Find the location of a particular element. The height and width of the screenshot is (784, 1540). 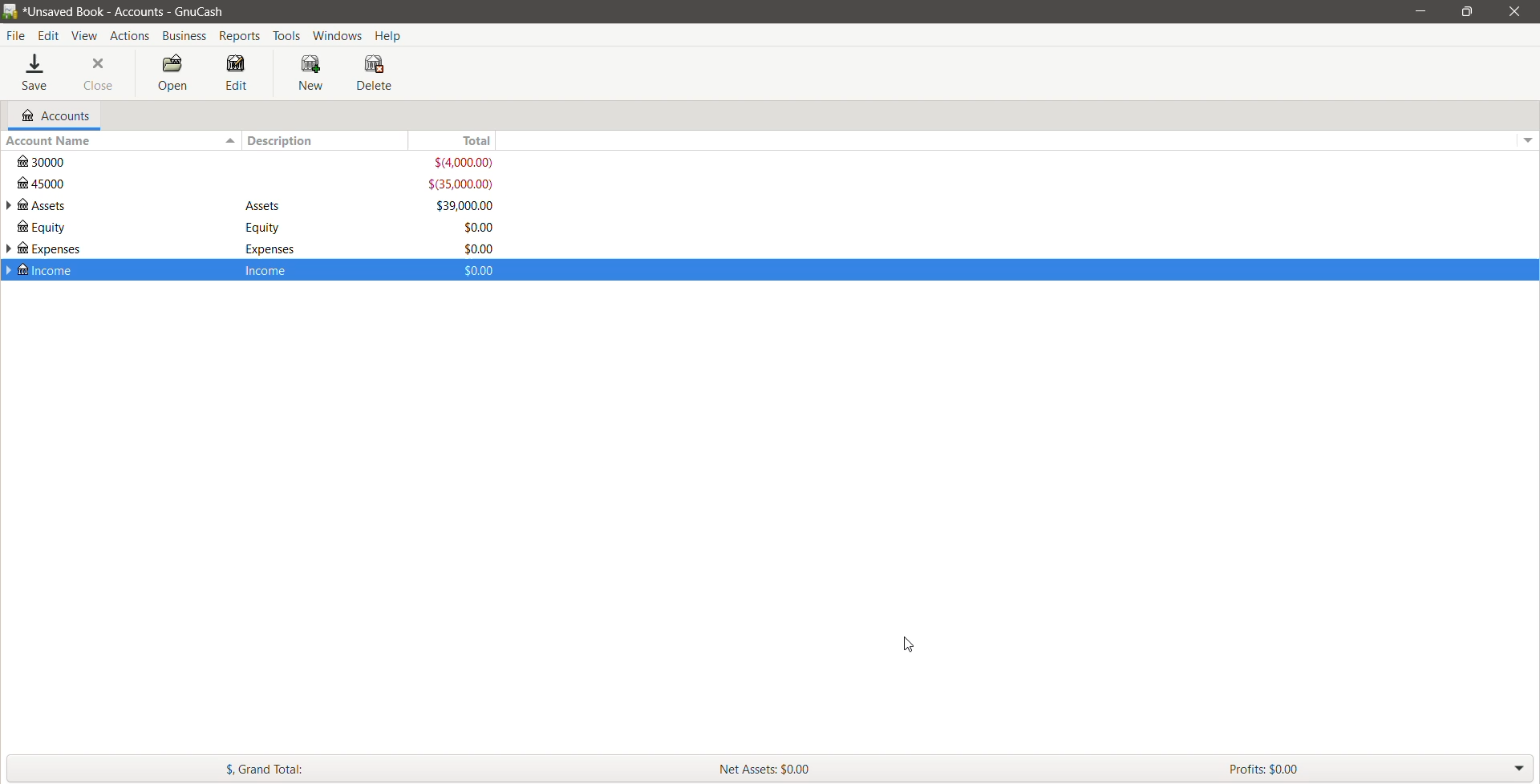

expand subaccounts is located at coordinates (10, 250).